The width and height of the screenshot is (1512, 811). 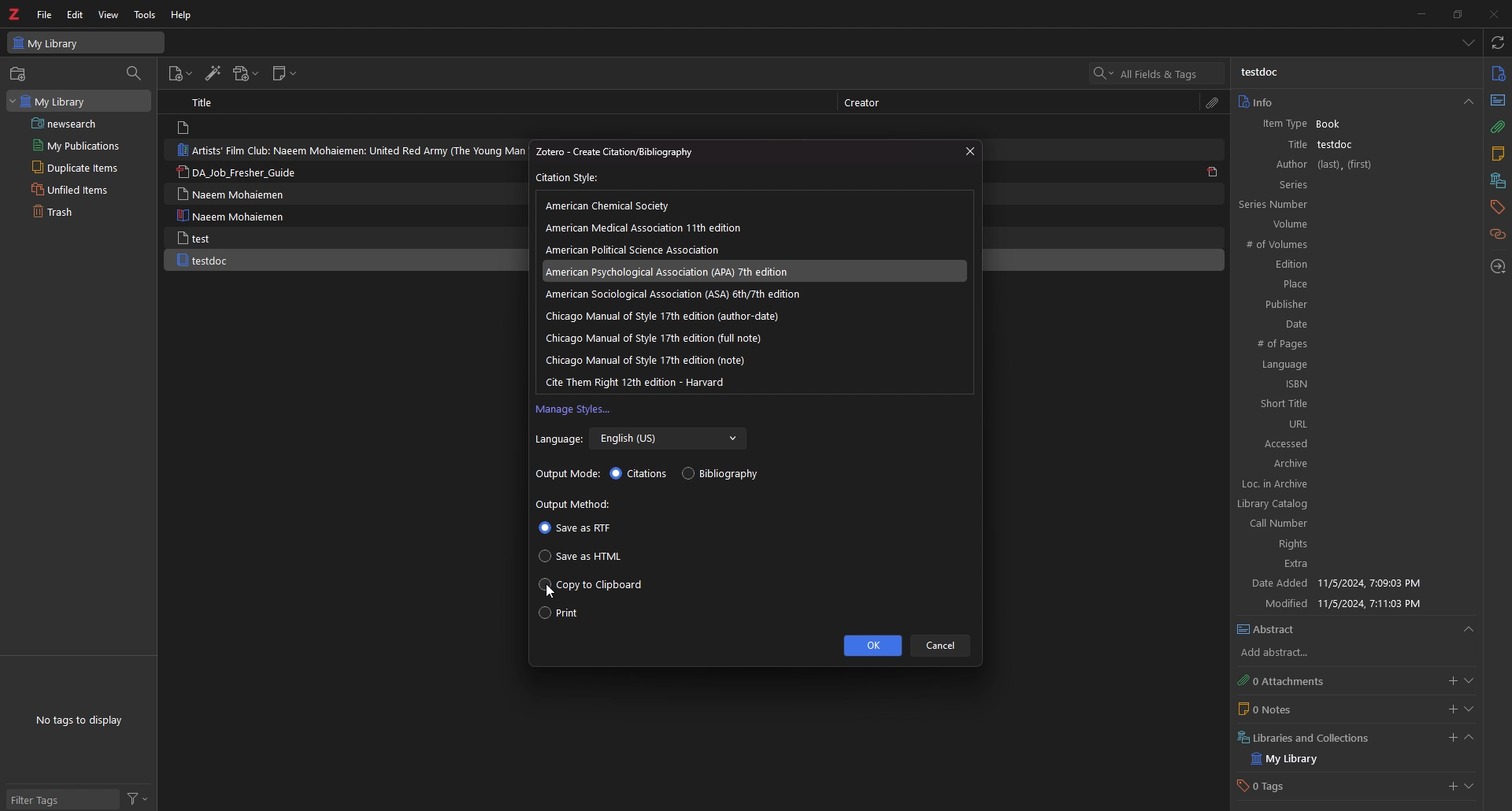 I want to click on new item, so click(x=180, y=76).